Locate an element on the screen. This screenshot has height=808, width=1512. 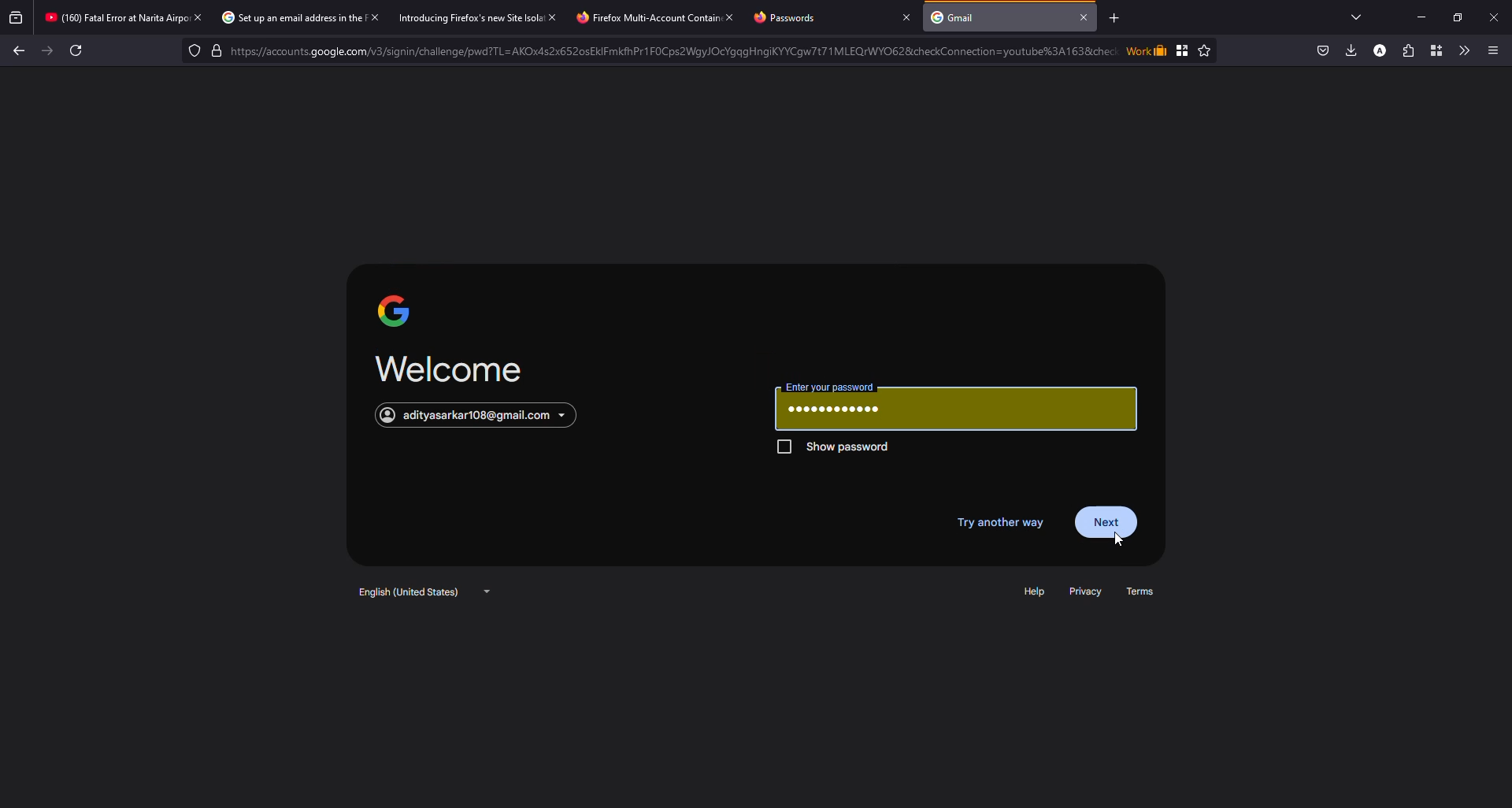
save to pocket is located at coordinates (1321, 50).